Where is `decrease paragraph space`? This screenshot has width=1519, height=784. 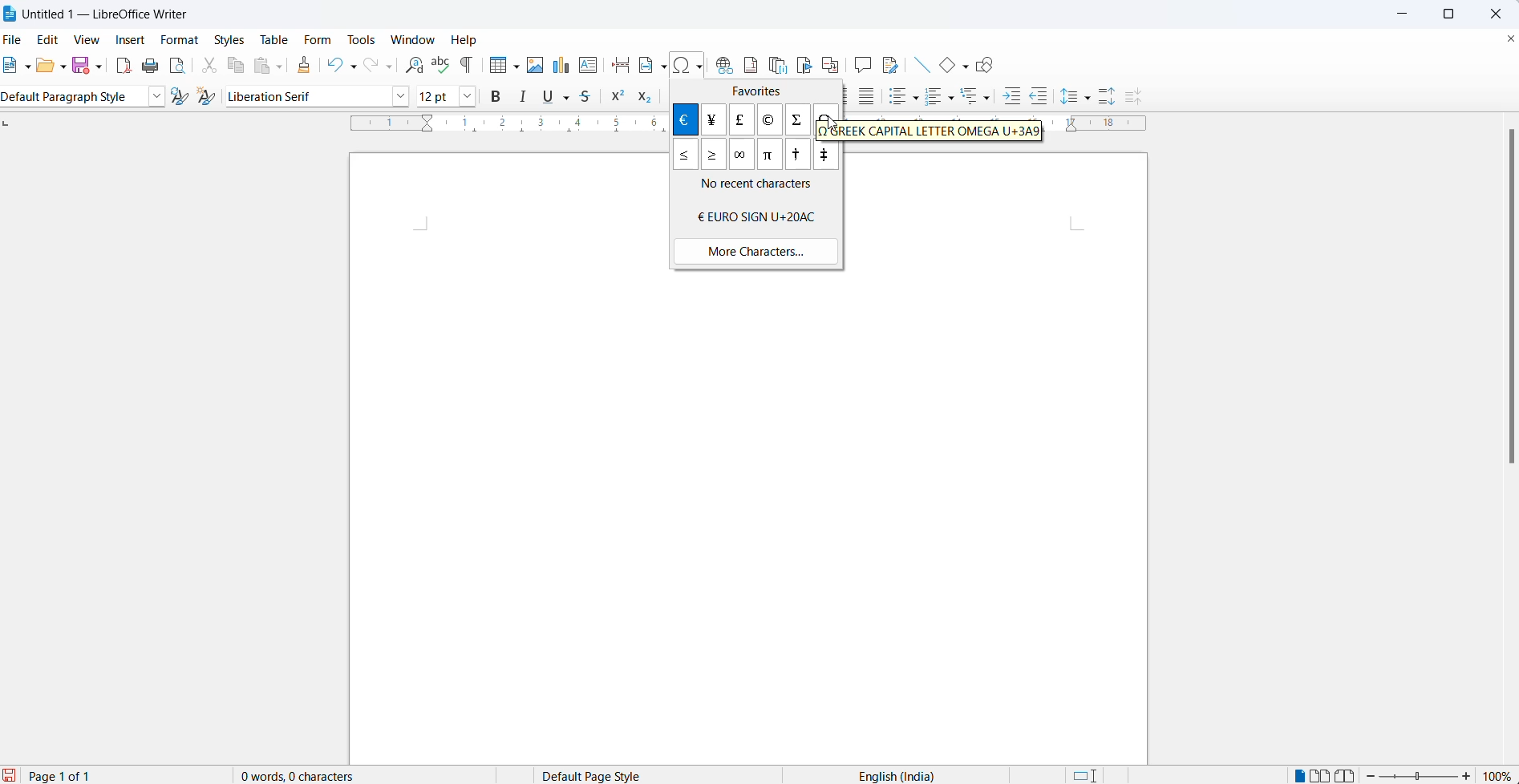
decrease paragraph space is located at coordinates (1142, 98).